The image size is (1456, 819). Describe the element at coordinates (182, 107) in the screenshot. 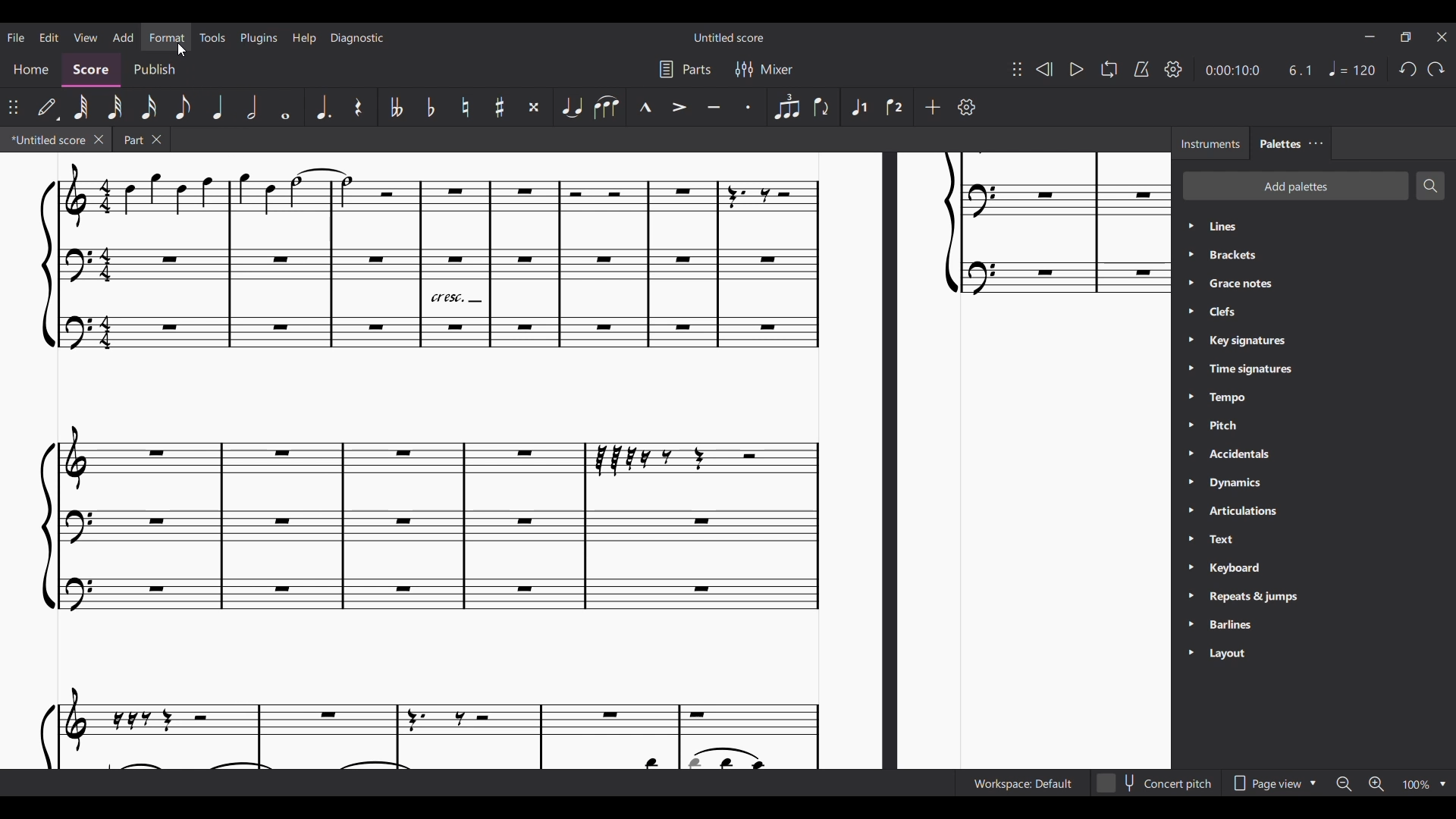

I see `8th note` at that location.